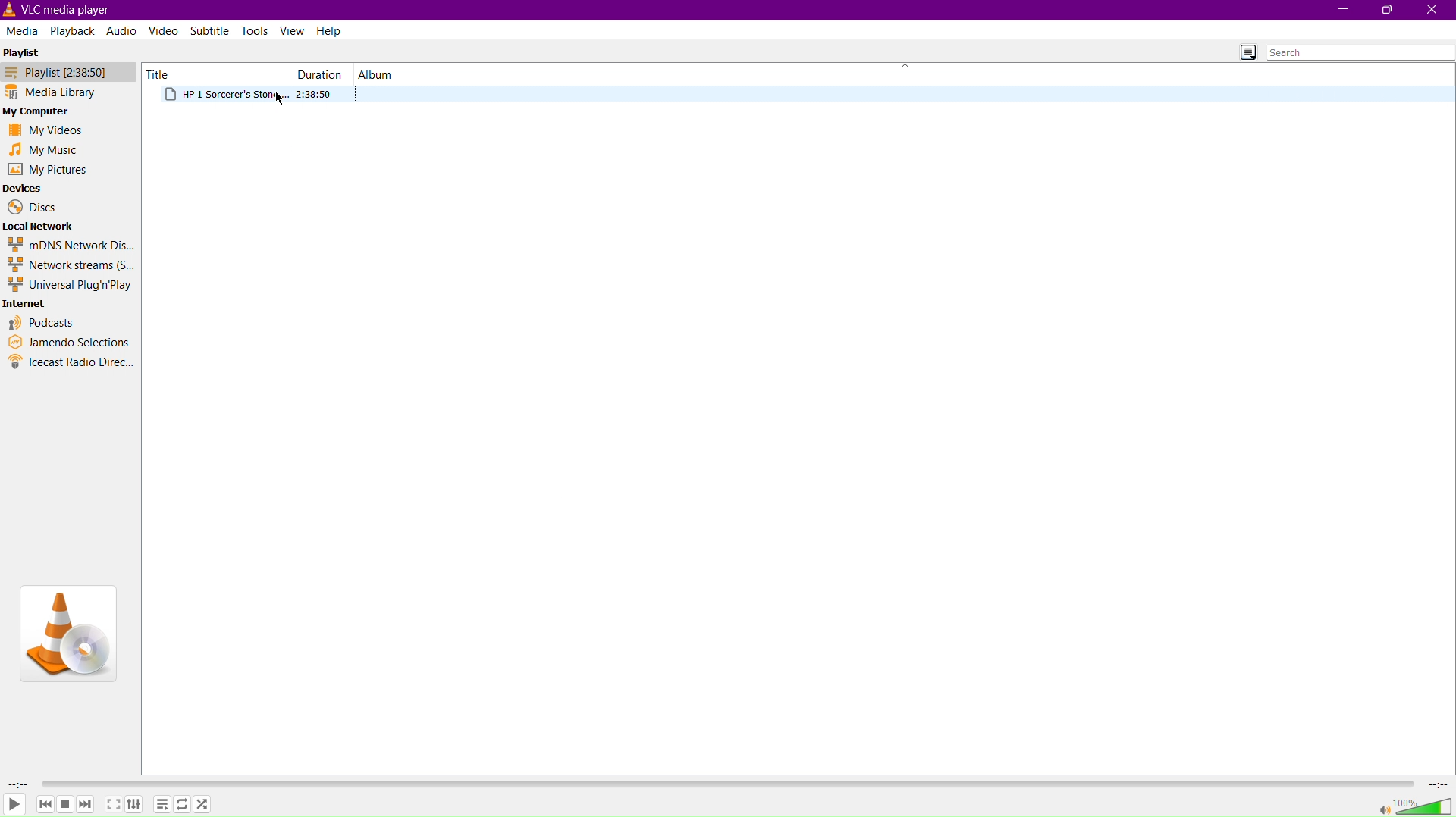  What do you see at coordinates (1436, 783) in the screenshot?
I see `--:--` at bounding box center [1436, 783].